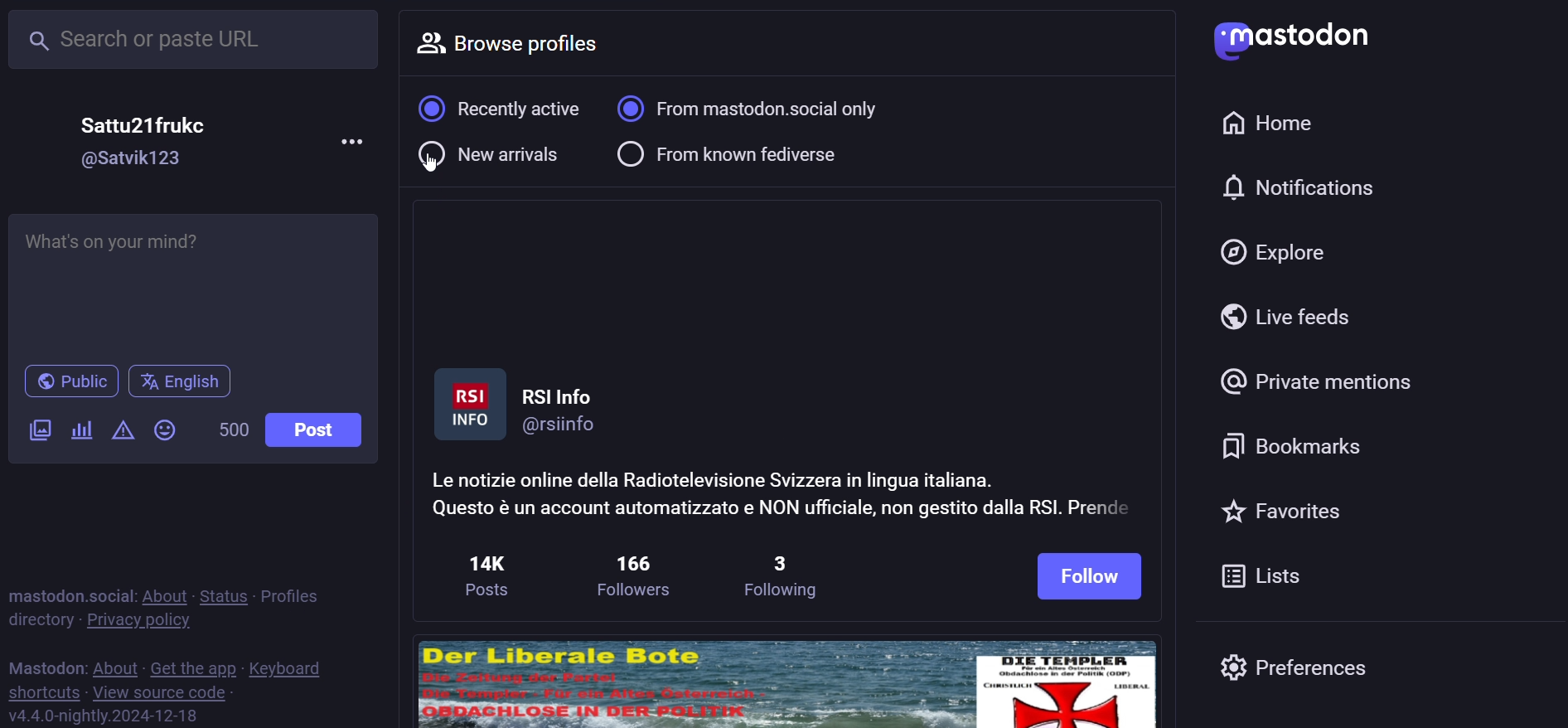 The image size is (1568, 728). Describe the element at coordinates (1304, 669) in the screenshot. I see `preferences` at that location.